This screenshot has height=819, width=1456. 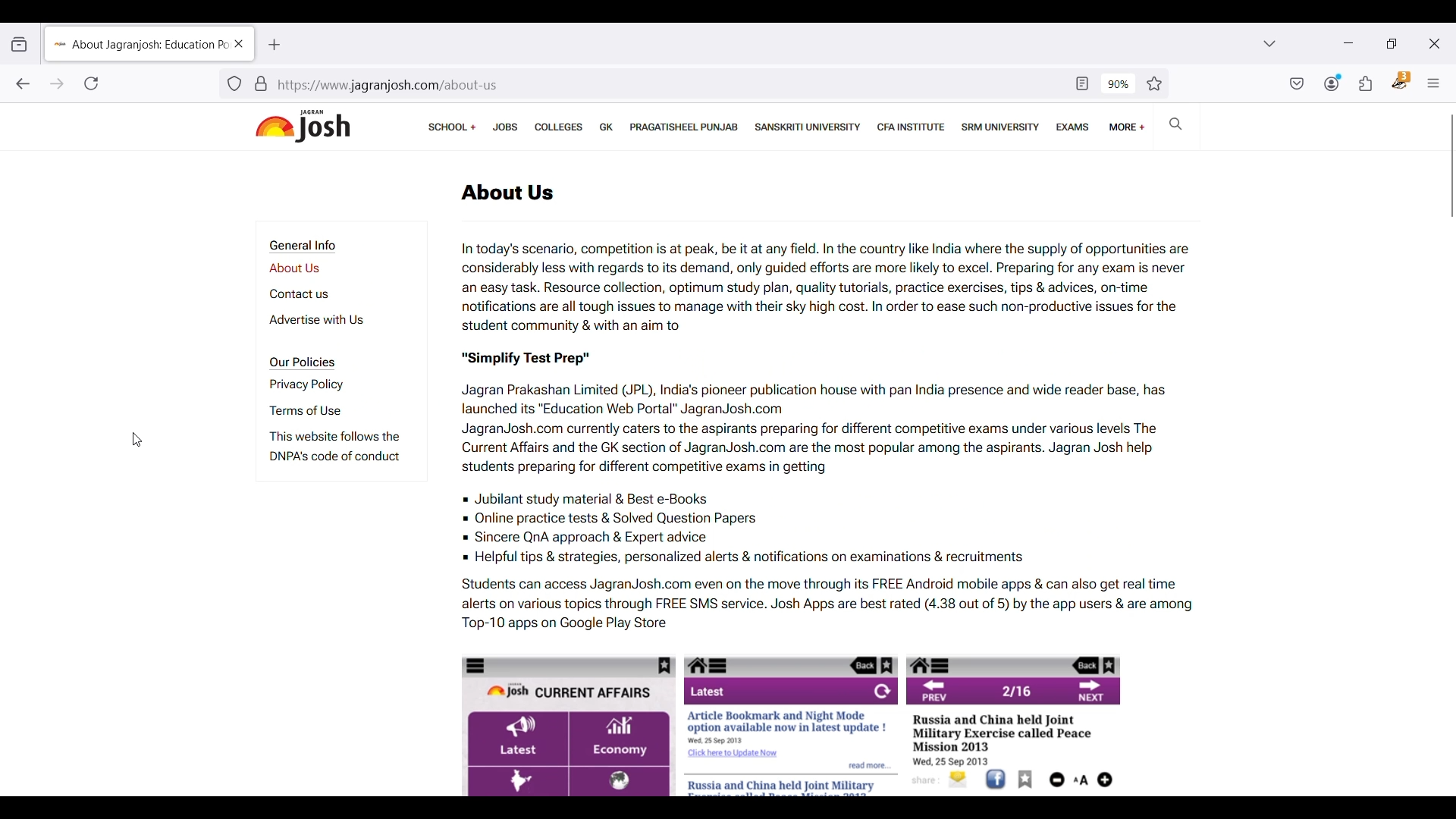 I want to click on Website's mobile UI, so click(x=795, y=724).